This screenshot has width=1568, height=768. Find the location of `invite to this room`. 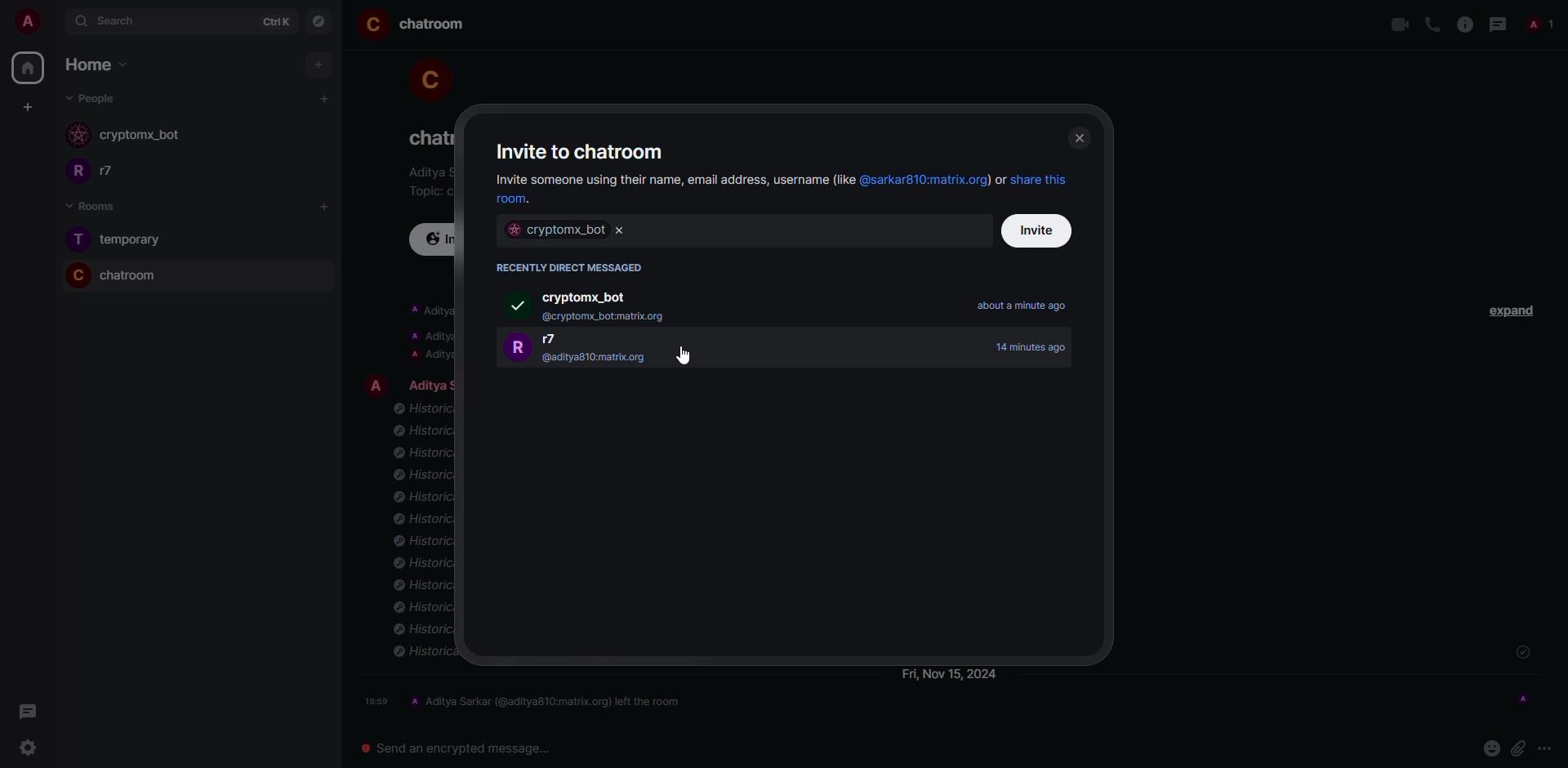

invite to this room is located at coordinates (436, 239).